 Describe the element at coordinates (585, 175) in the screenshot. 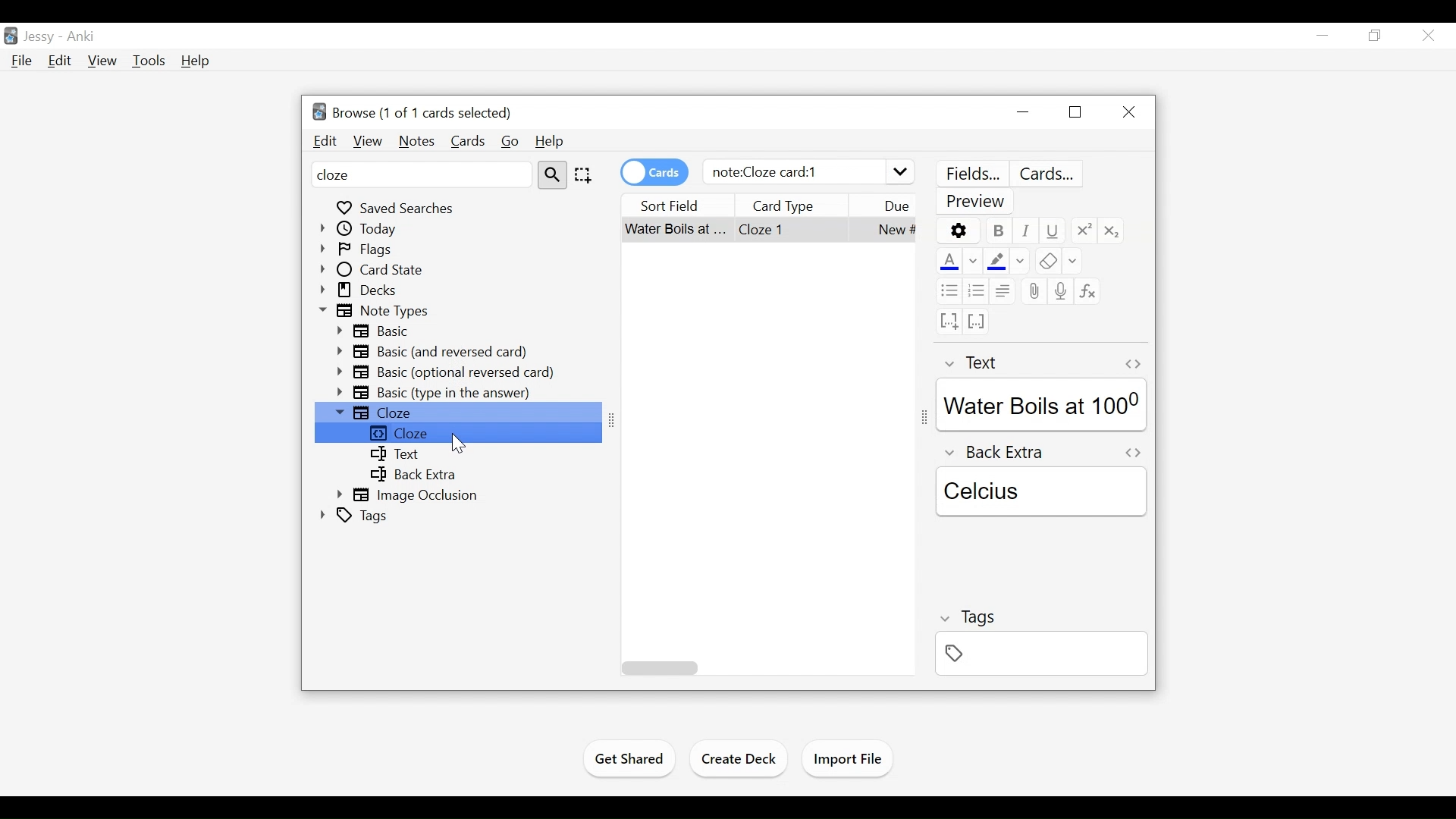

I see `Selection tool` at that location.